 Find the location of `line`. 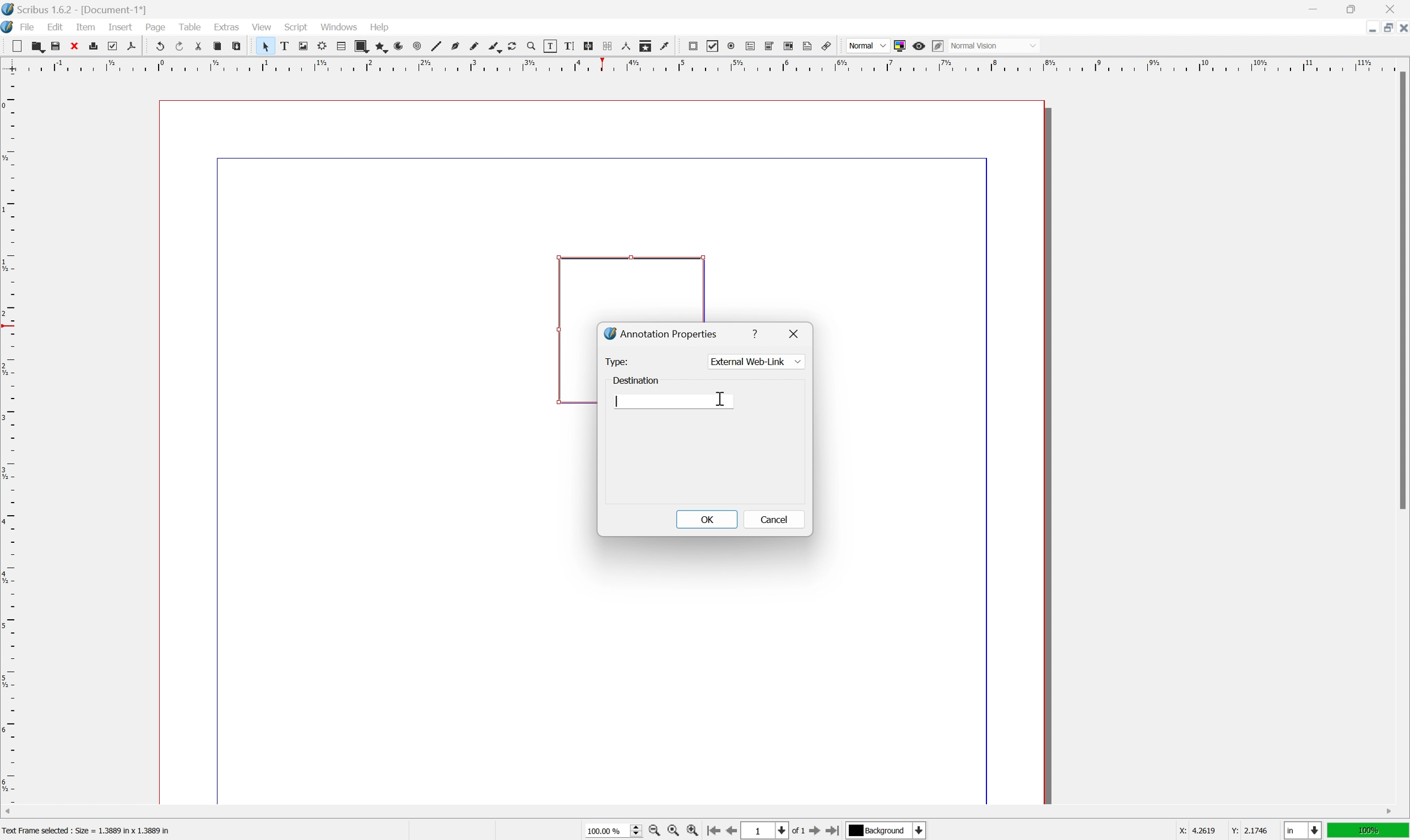

line is located at coordinates (437, 46).